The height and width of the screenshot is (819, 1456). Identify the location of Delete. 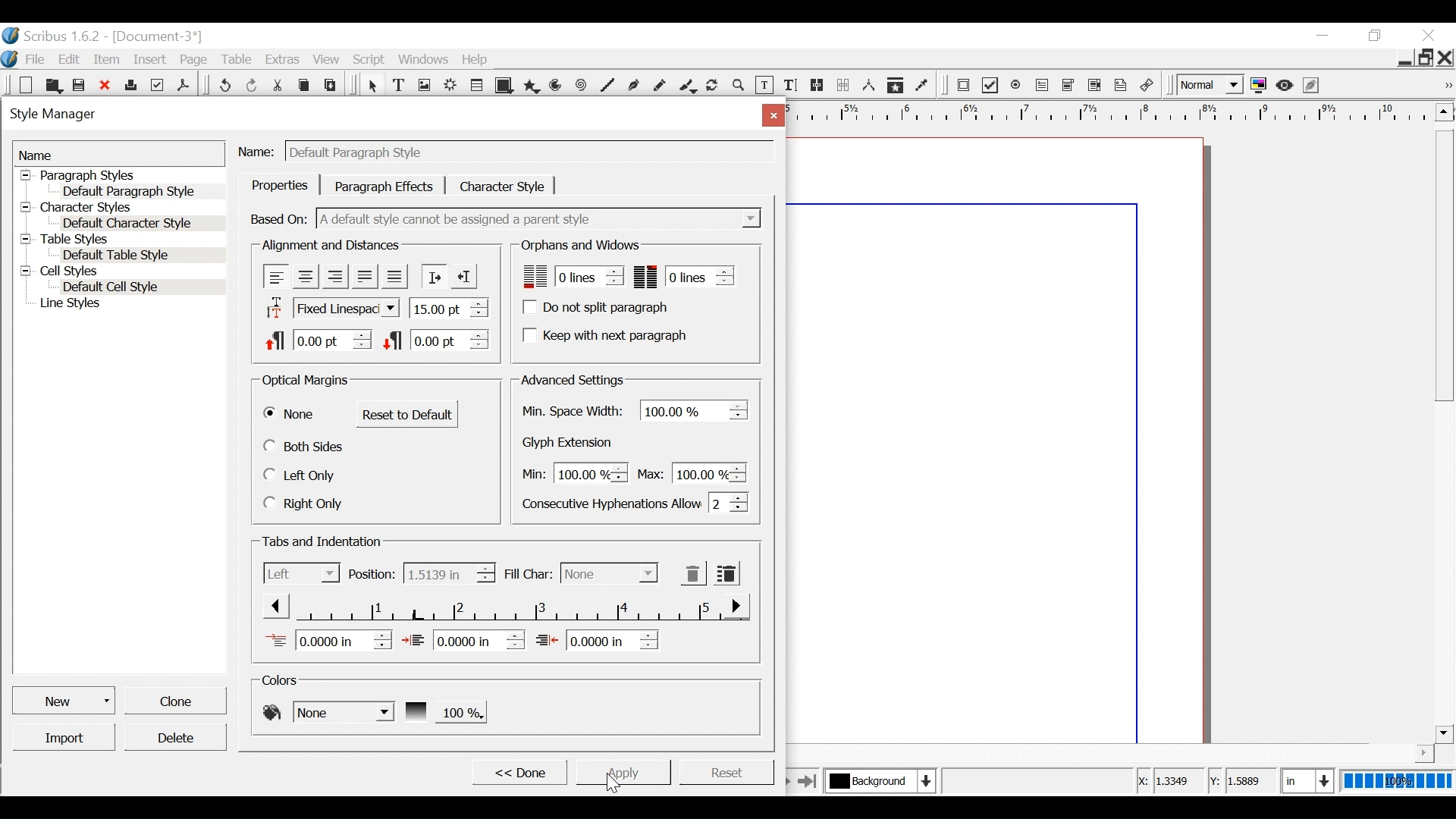
(174, 737).